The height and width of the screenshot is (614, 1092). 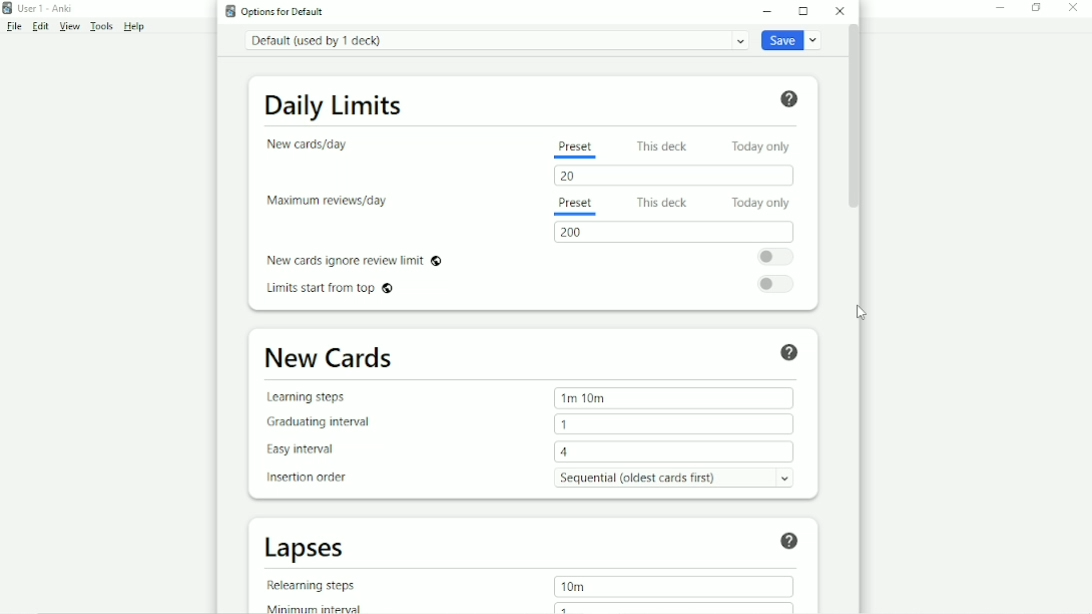 What do you see at coordinates (762, 146) in the screenshot?
I see `Today only` at bounding box center [762, 146].